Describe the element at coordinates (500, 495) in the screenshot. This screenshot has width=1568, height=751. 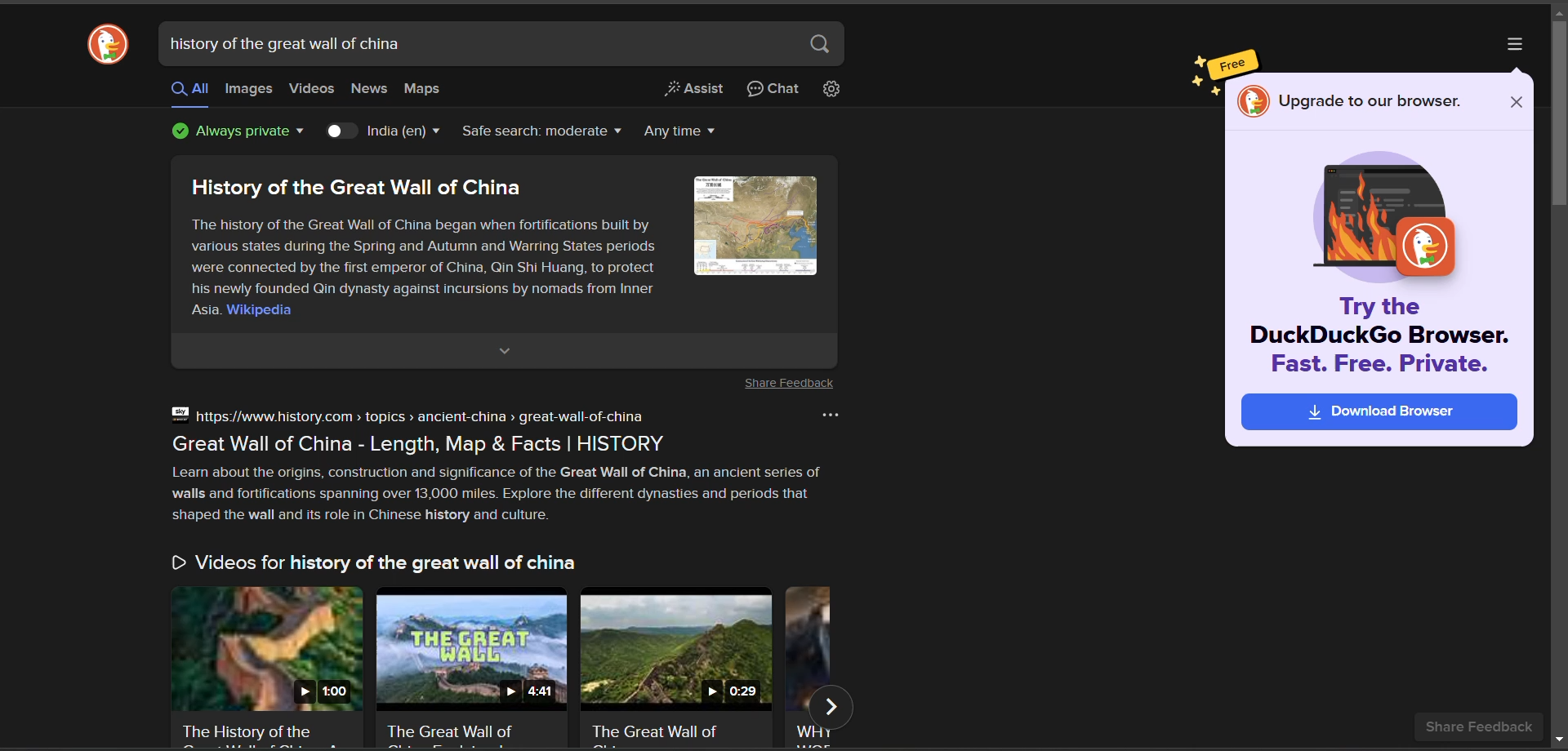
I see `Learn about the origins, construction and significance of the Great Wall of China, an ancient series of
walls and fortifications spanning over 13,000 miles. Explore the different dynasties and periods that
shaped the wall and its role in Chinese history and culture.` at that location.